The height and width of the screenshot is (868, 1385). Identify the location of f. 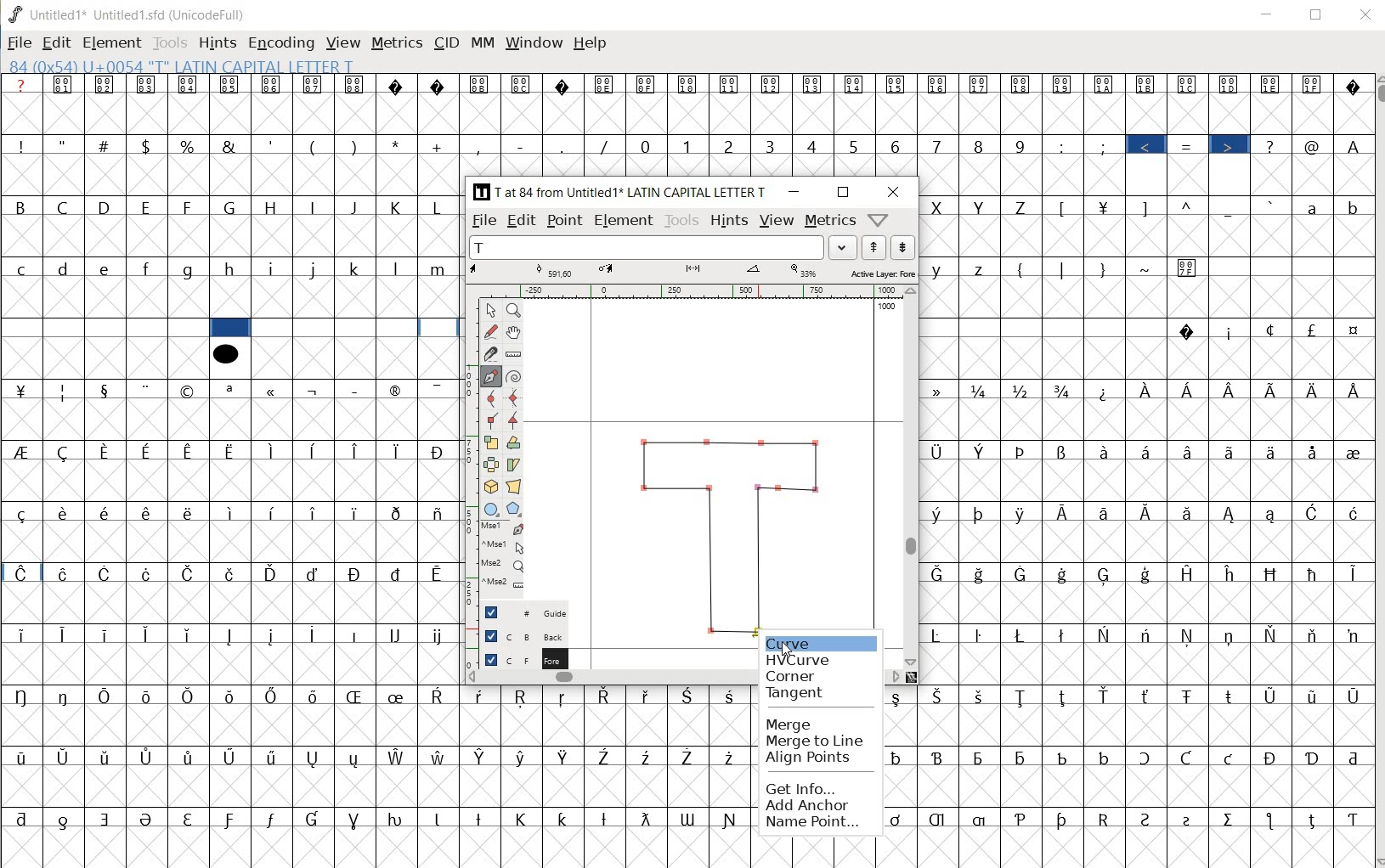
(148, 269).